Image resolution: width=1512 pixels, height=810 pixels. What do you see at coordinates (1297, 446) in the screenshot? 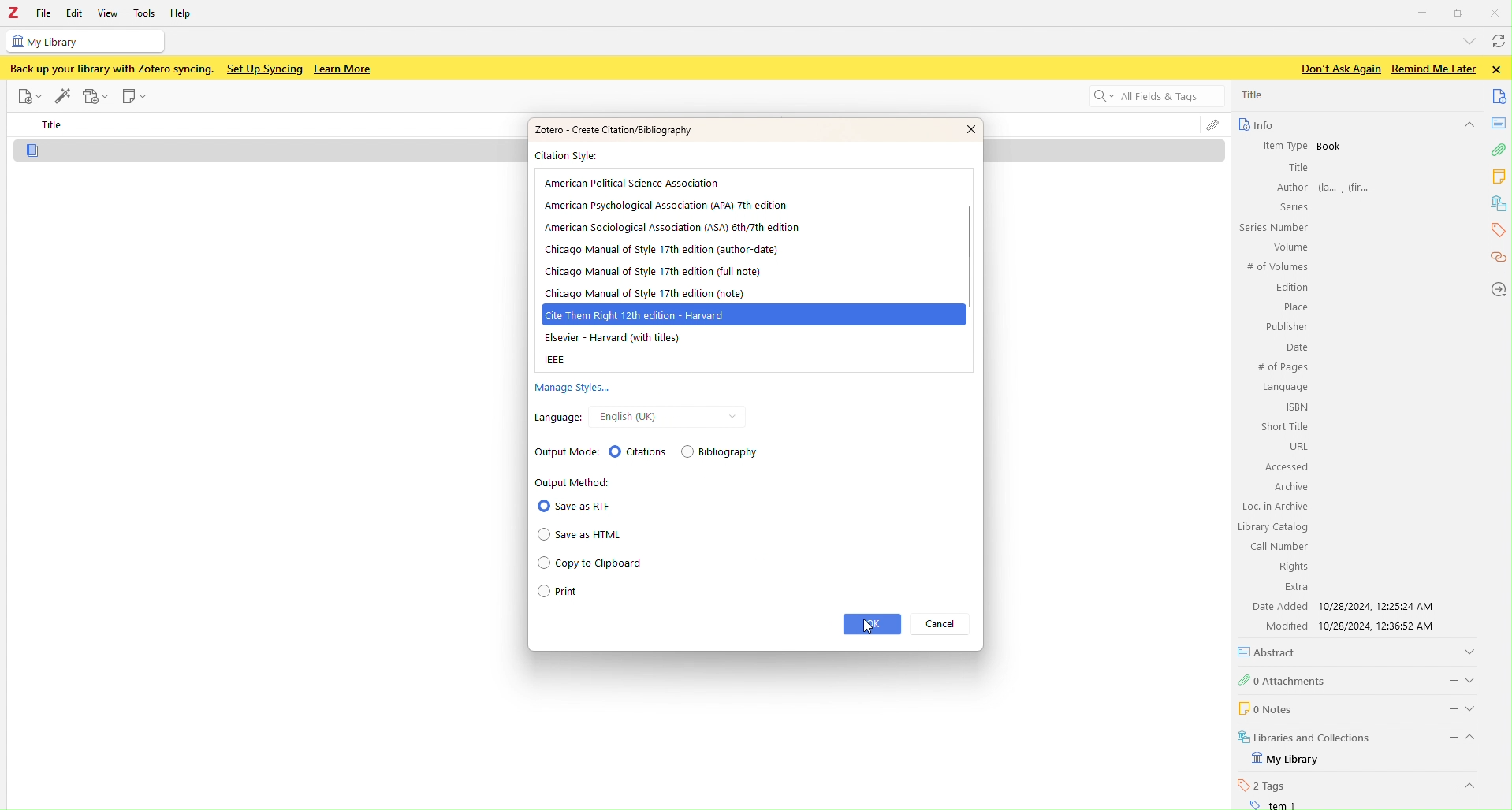
I see `URL` at bounding box center [1297, 446].